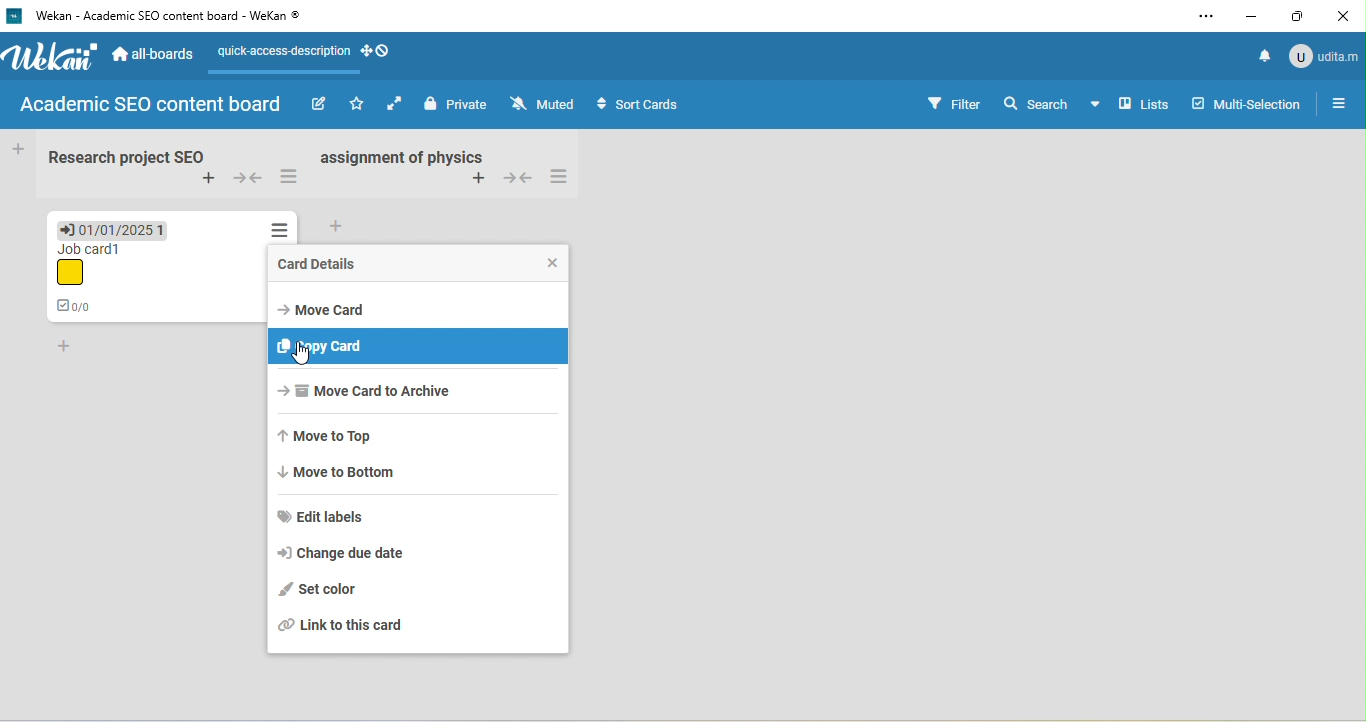 The width and height of the screenshot is (1366, 722). I want to click on show desktop drag handle, so click(379, 52).